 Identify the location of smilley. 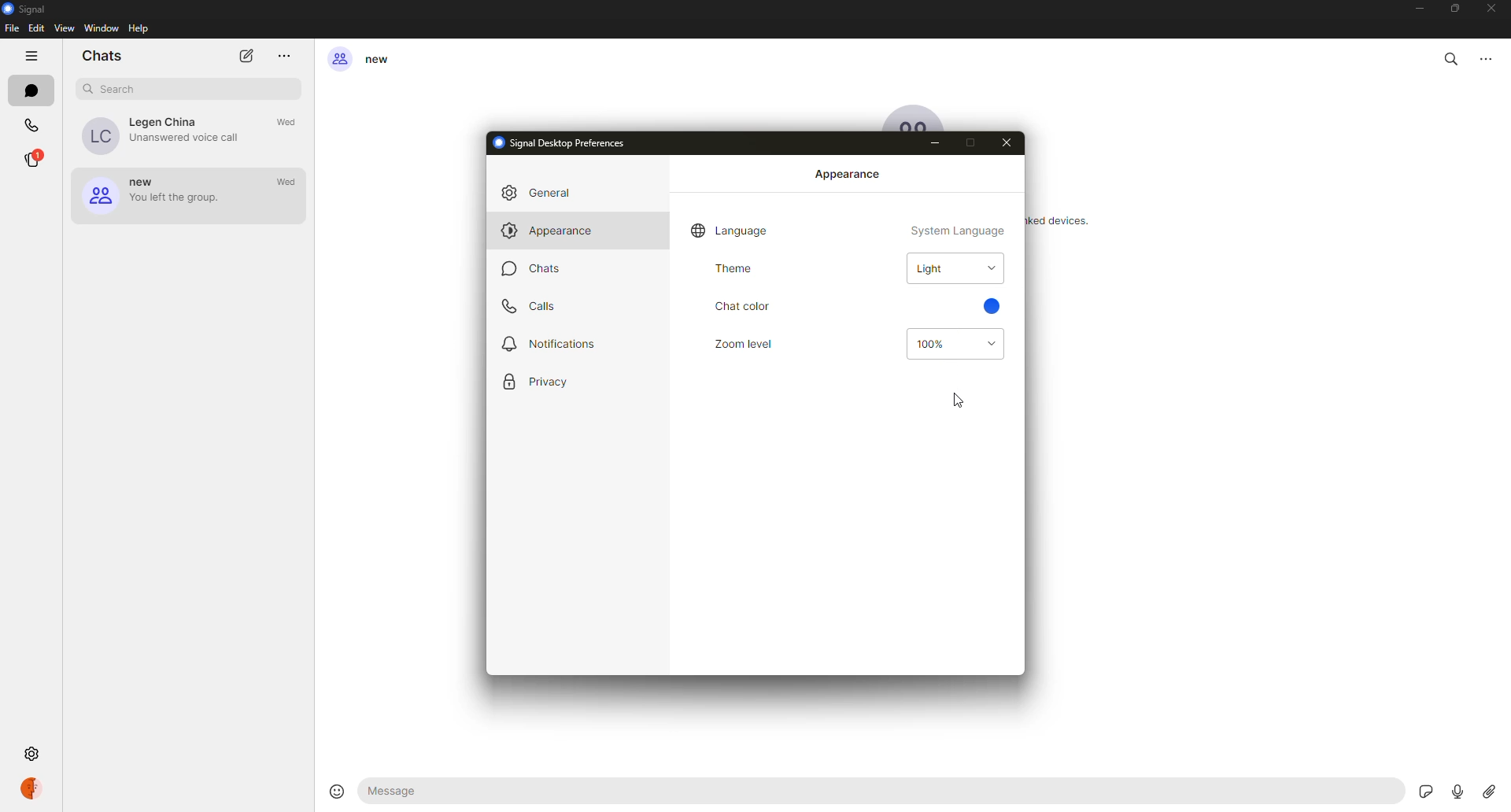
(334, 791).